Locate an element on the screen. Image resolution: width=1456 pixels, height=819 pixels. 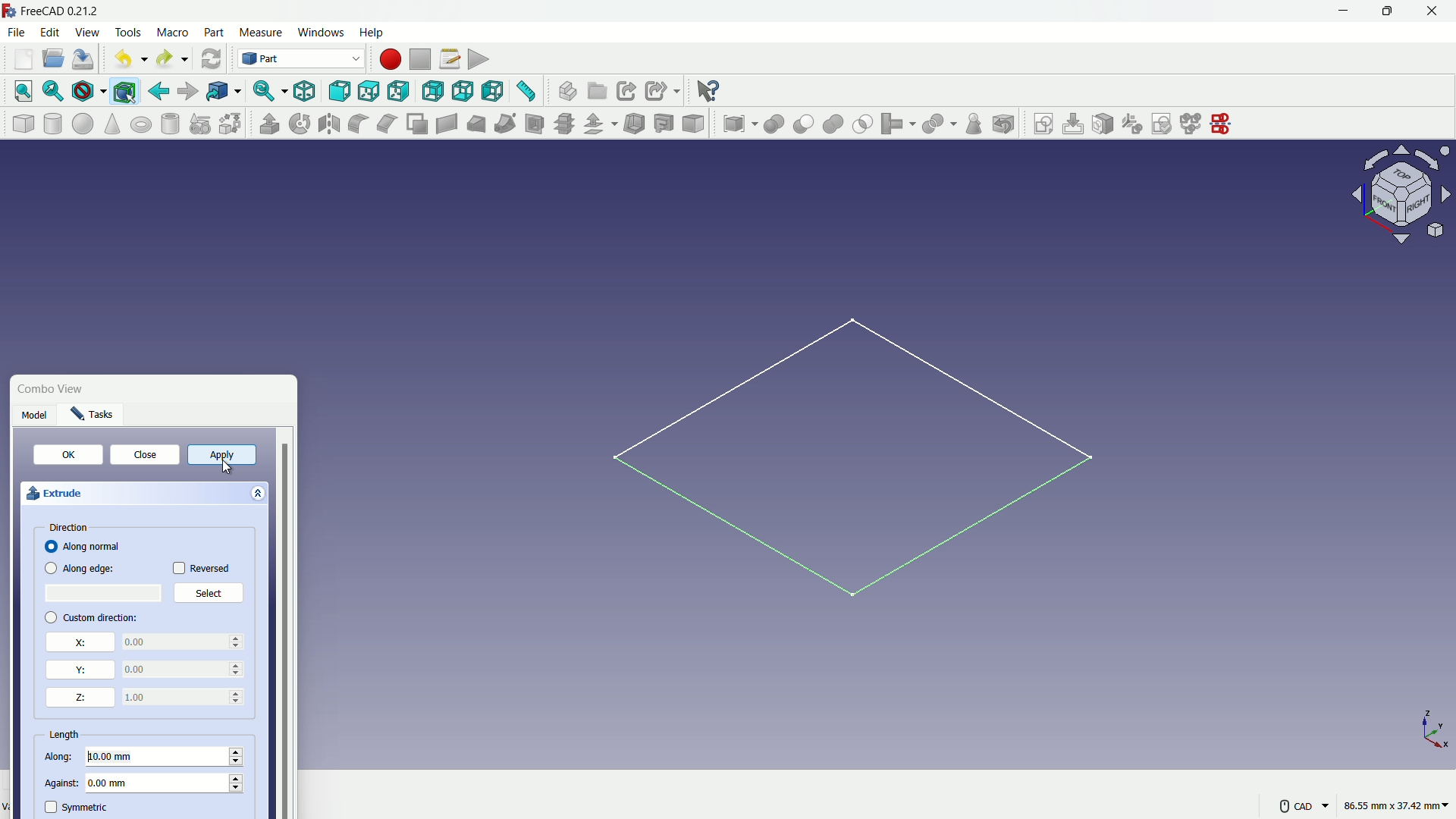
section is located at coordinates (536, 125).